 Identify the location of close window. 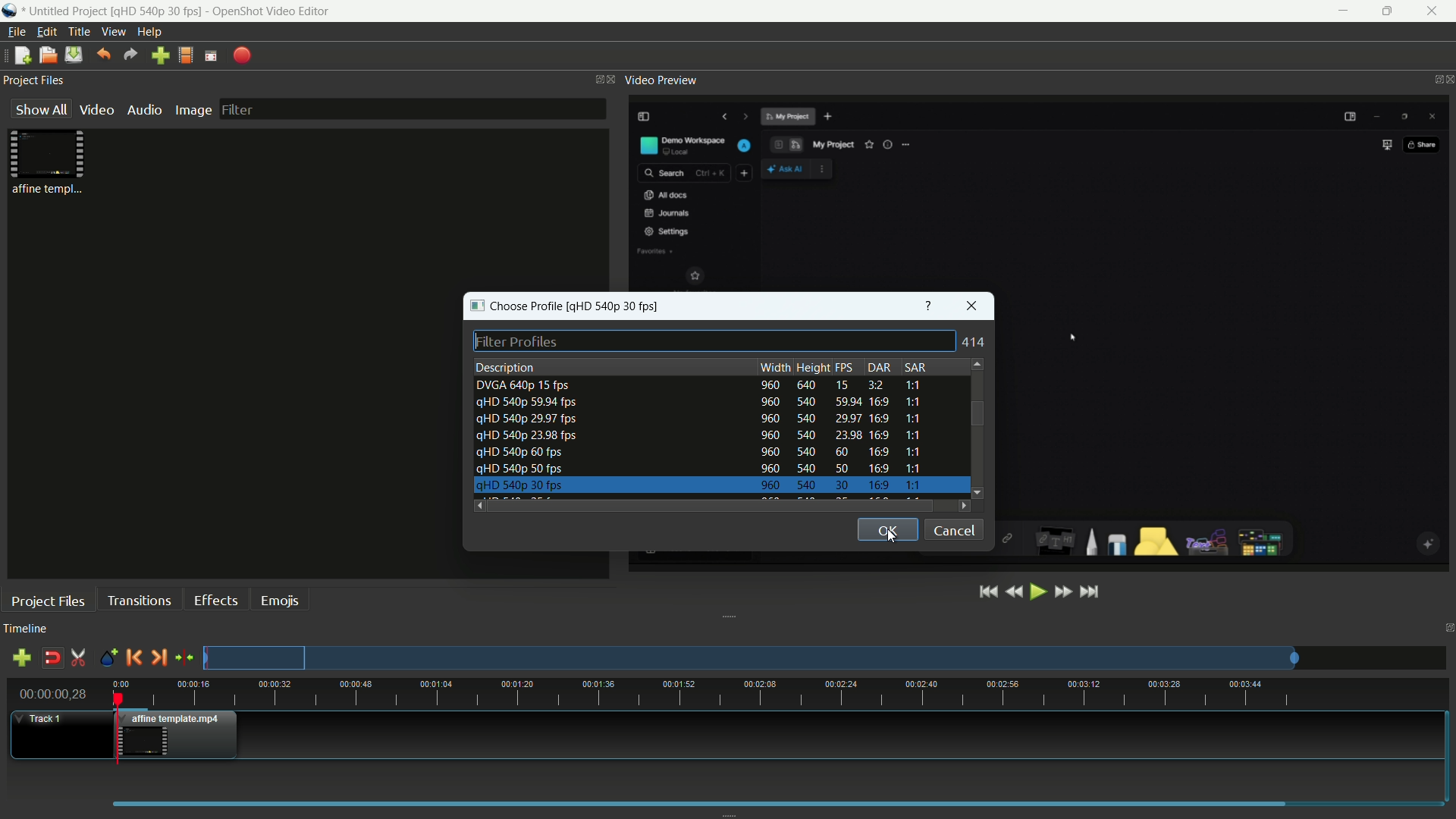
(972, 306).